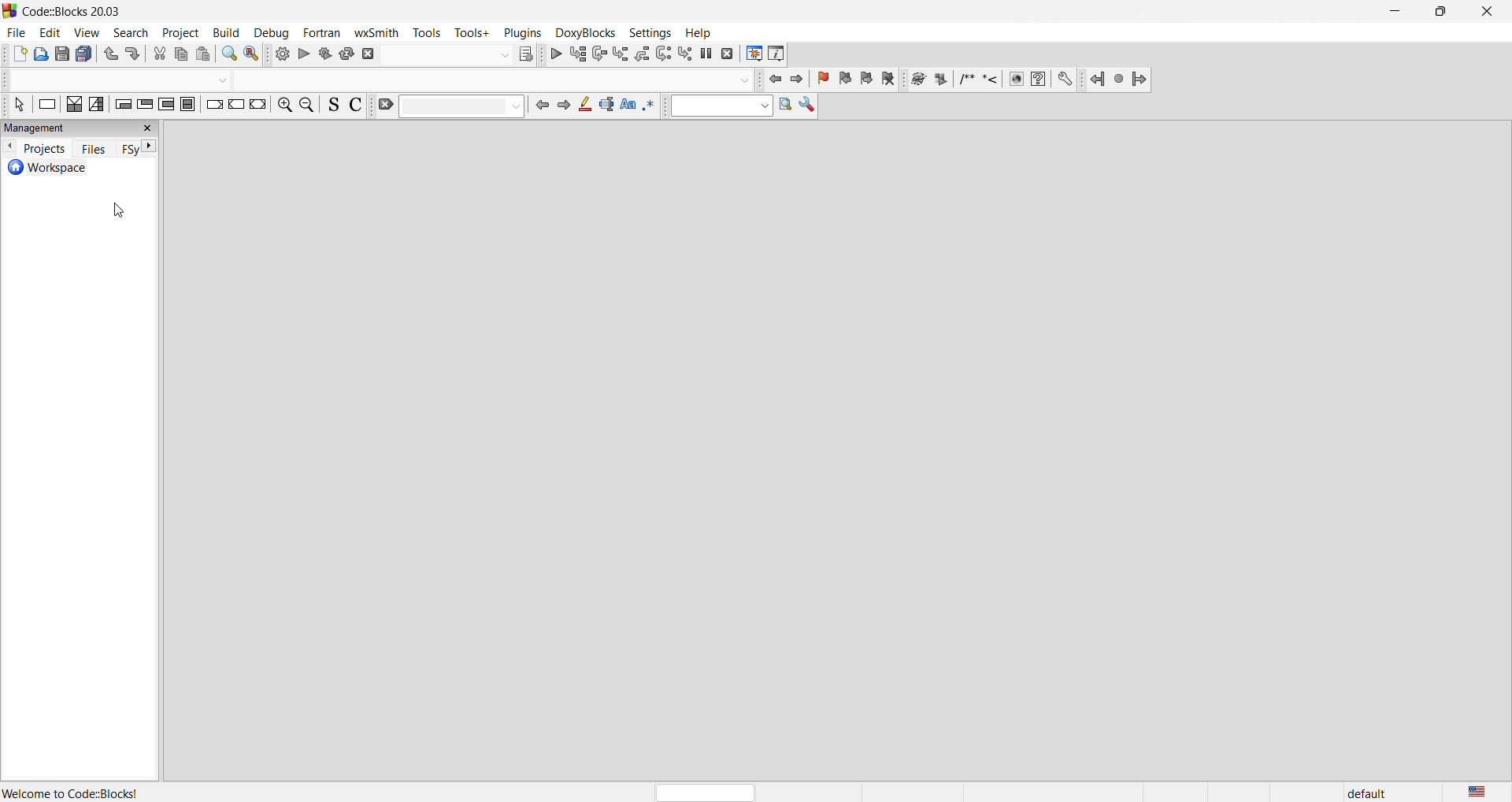 The width and height of the screenshot is (1512, 802). Describe the element at coordinates (348, 56) in the screenshot. I see `rebuild` at that location.